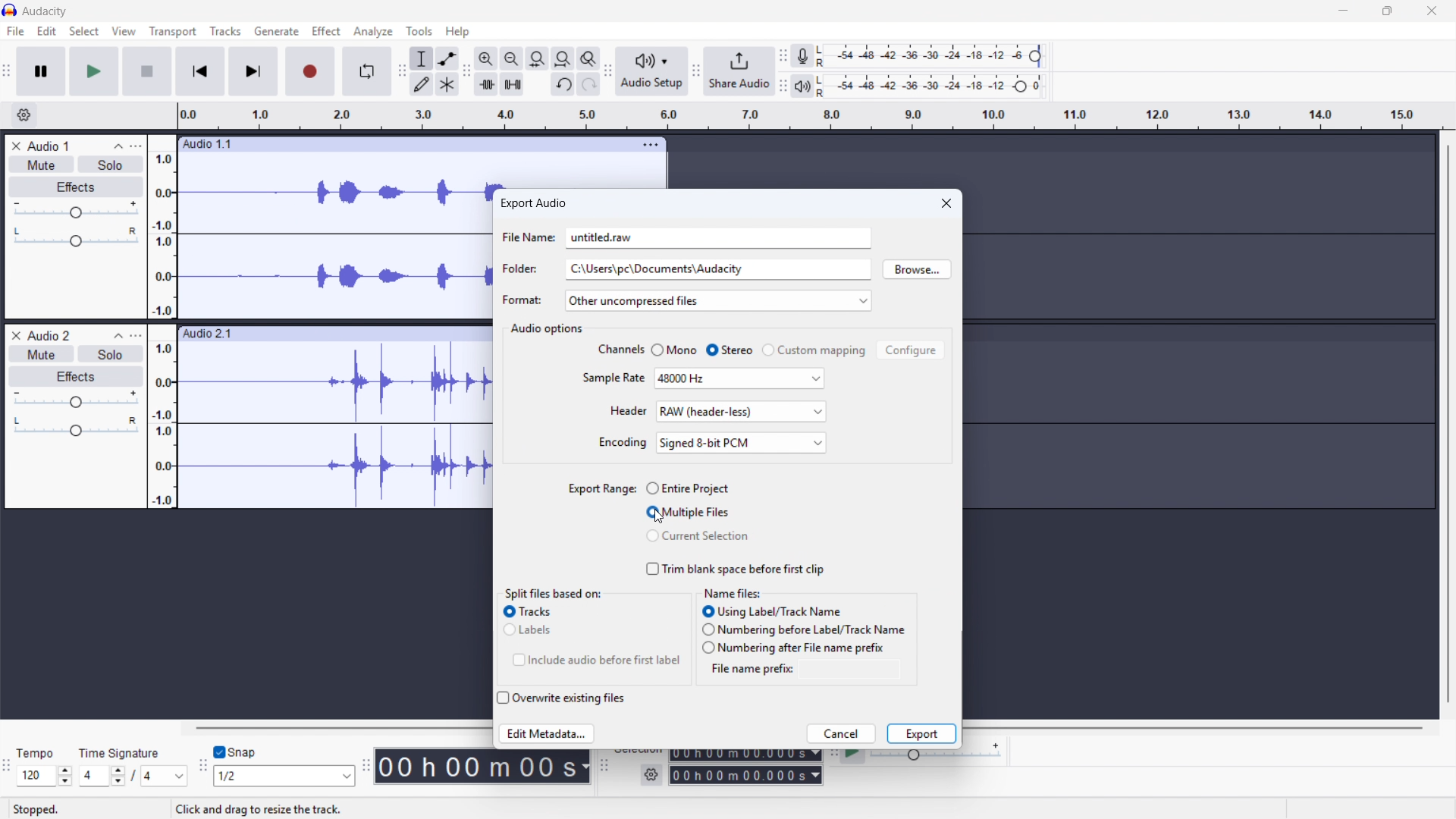 The image size is (1456, 819). I want to click on recording level, so click(934, 56).